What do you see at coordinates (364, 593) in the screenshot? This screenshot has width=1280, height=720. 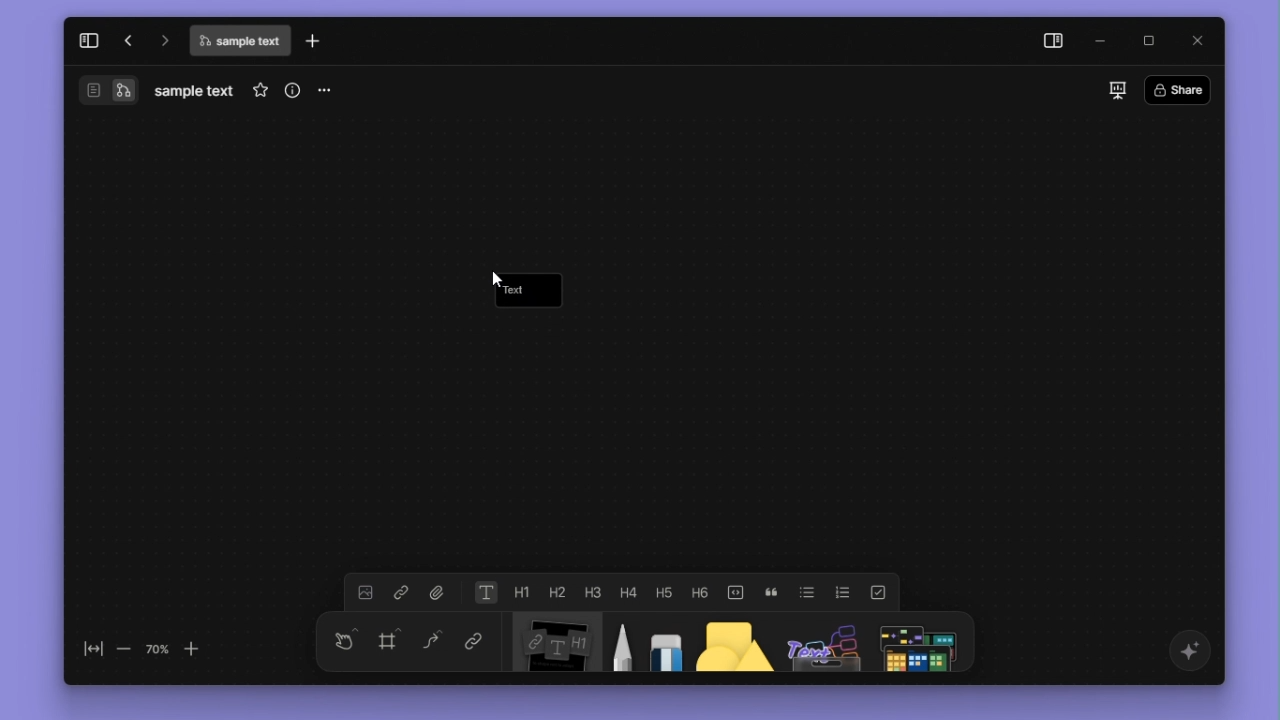 I see `image` at bounding box center [364, 593].